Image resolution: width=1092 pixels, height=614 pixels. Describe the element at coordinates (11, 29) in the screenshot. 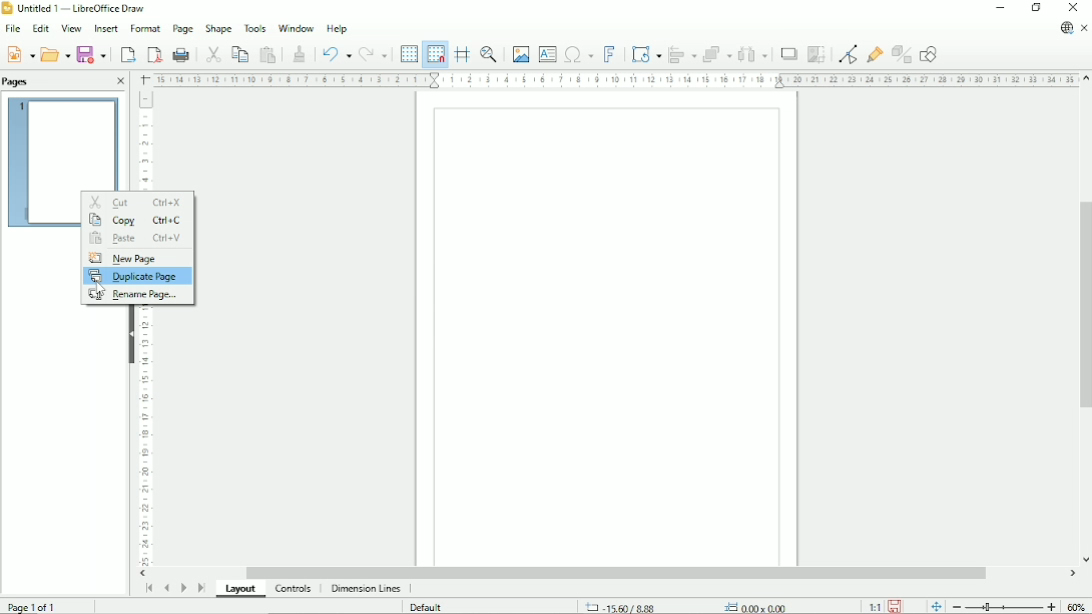

I see `File` at that location.